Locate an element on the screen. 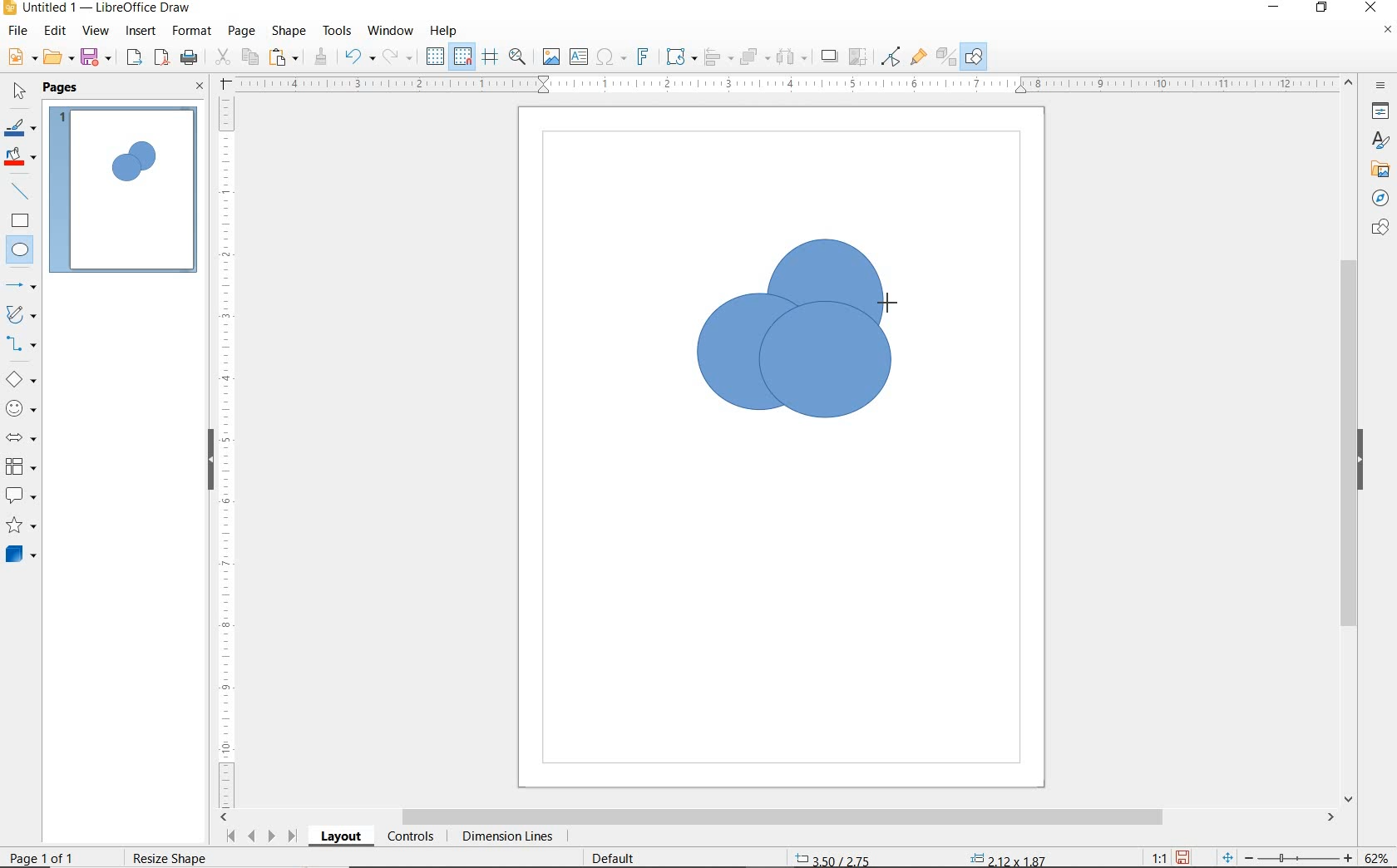 Image resolution: width=1397 pixels, height=868 pixels. CLOSE DOCUMENT is located at coordinates (1387, 32).